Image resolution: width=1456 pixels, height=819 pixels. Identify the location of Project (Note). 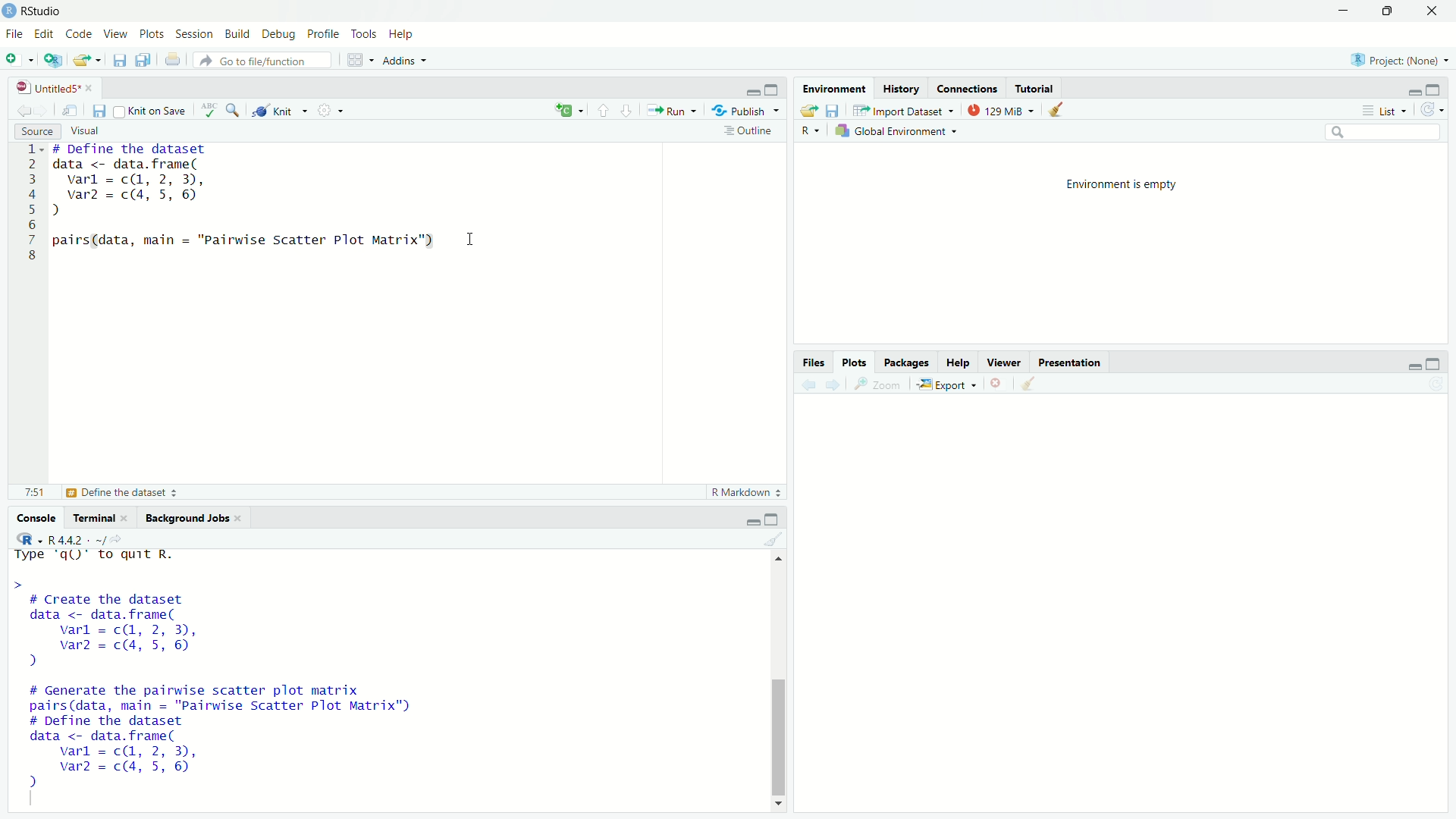
(1400, 60).